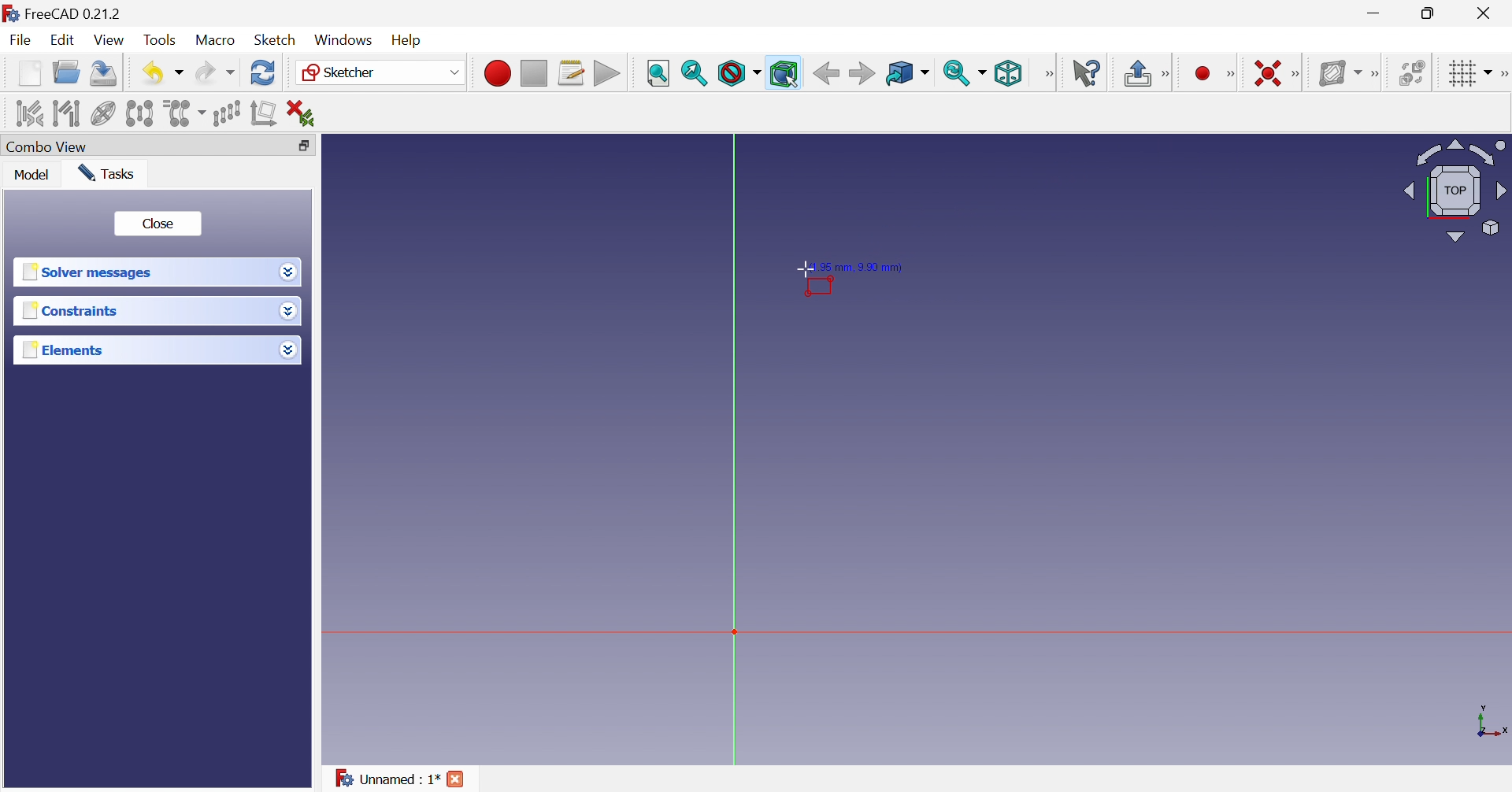 Image resolution: width=1512 pixels, height=792 pixels. I want to click on Show/hide internal geometry, so click(103, 113).